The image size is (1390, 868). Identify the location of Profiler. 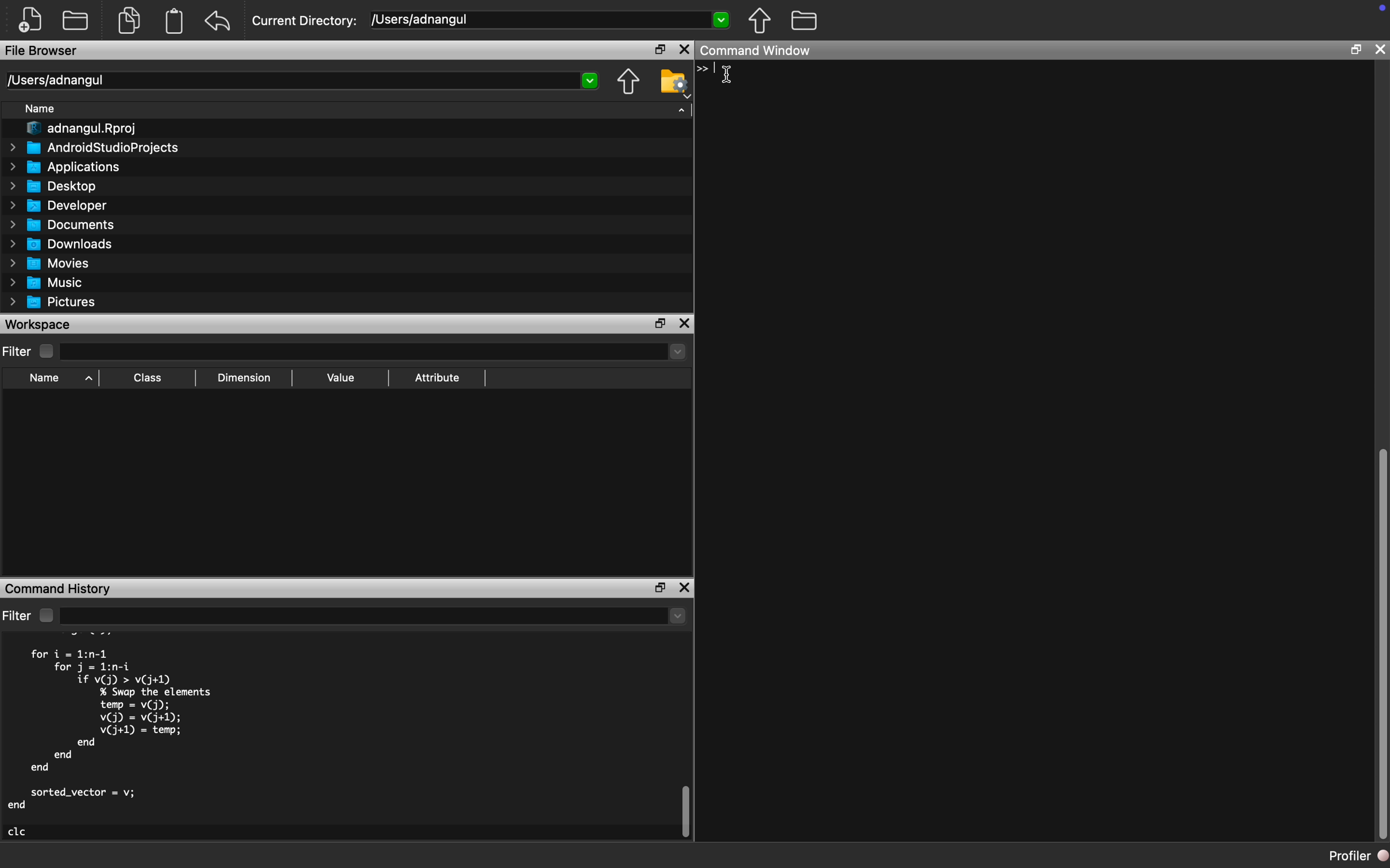
(1358, 855).